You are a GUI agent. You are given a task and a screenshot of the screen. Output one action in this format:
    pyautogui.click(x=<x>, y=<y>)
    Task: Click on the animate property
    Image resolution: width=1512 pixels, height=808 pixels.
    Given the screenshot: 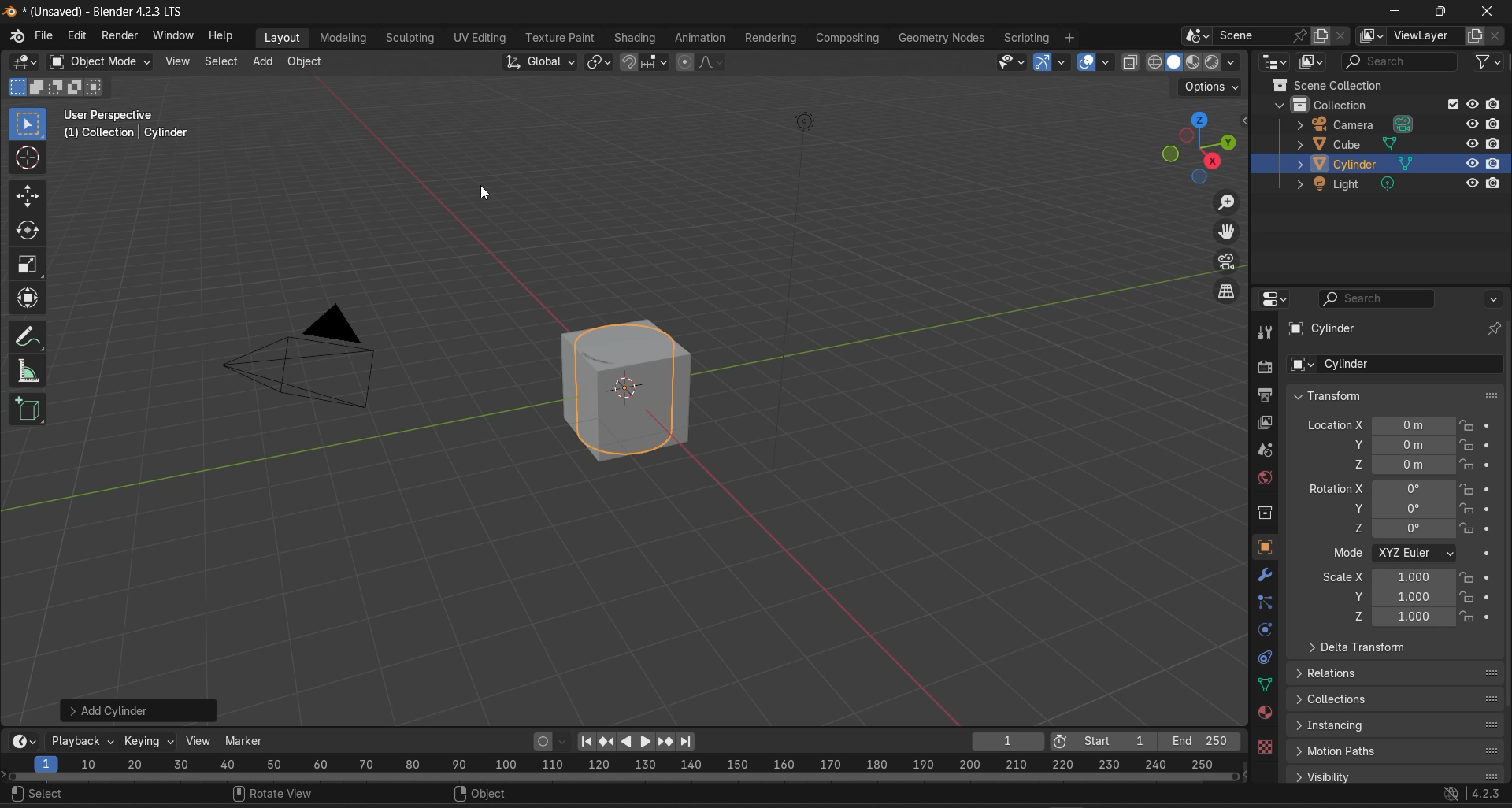 What is the action you would take?
    pyautogui.click(x=1491, y=426)
    